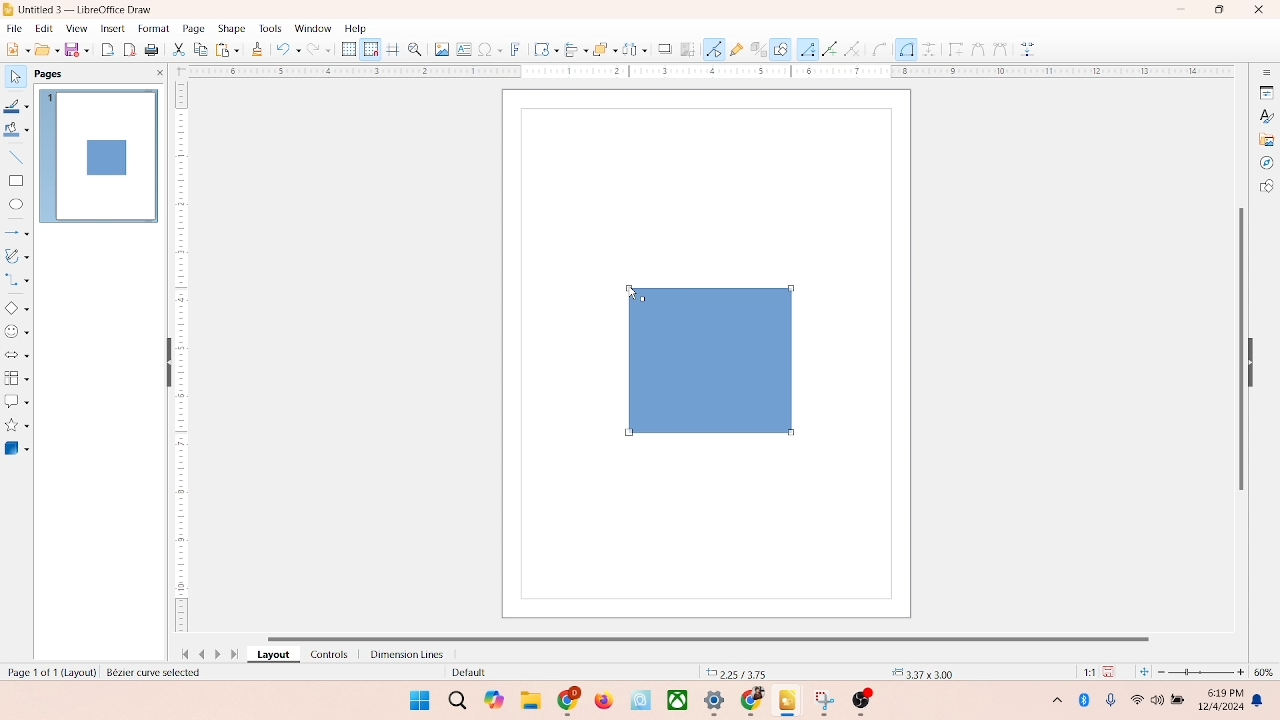 Image resolution: width=1280 pixels, height=720 pixels. I want to click on default, so click(465, 673).